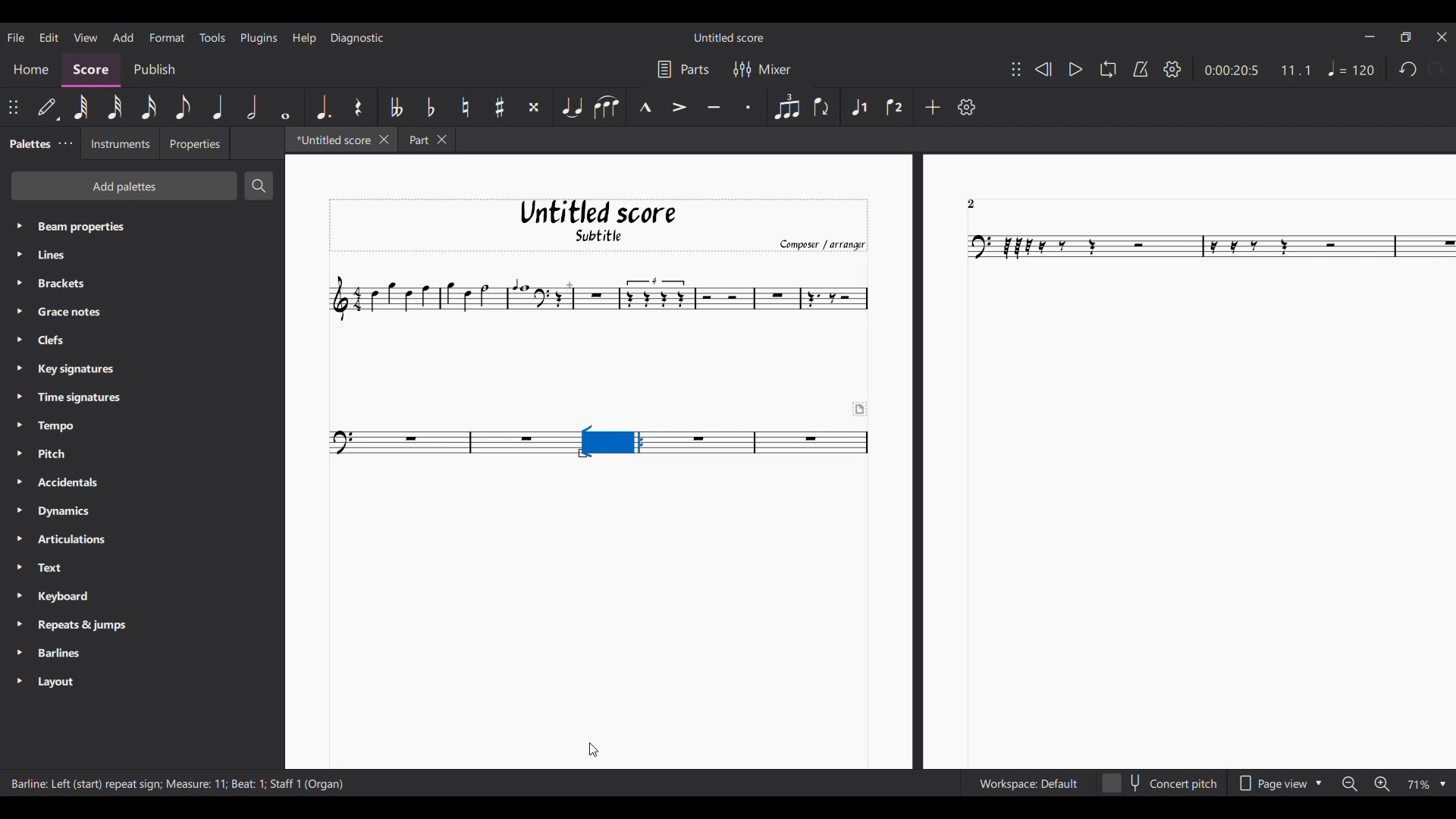  I want to click on Search, so click(259, 185).